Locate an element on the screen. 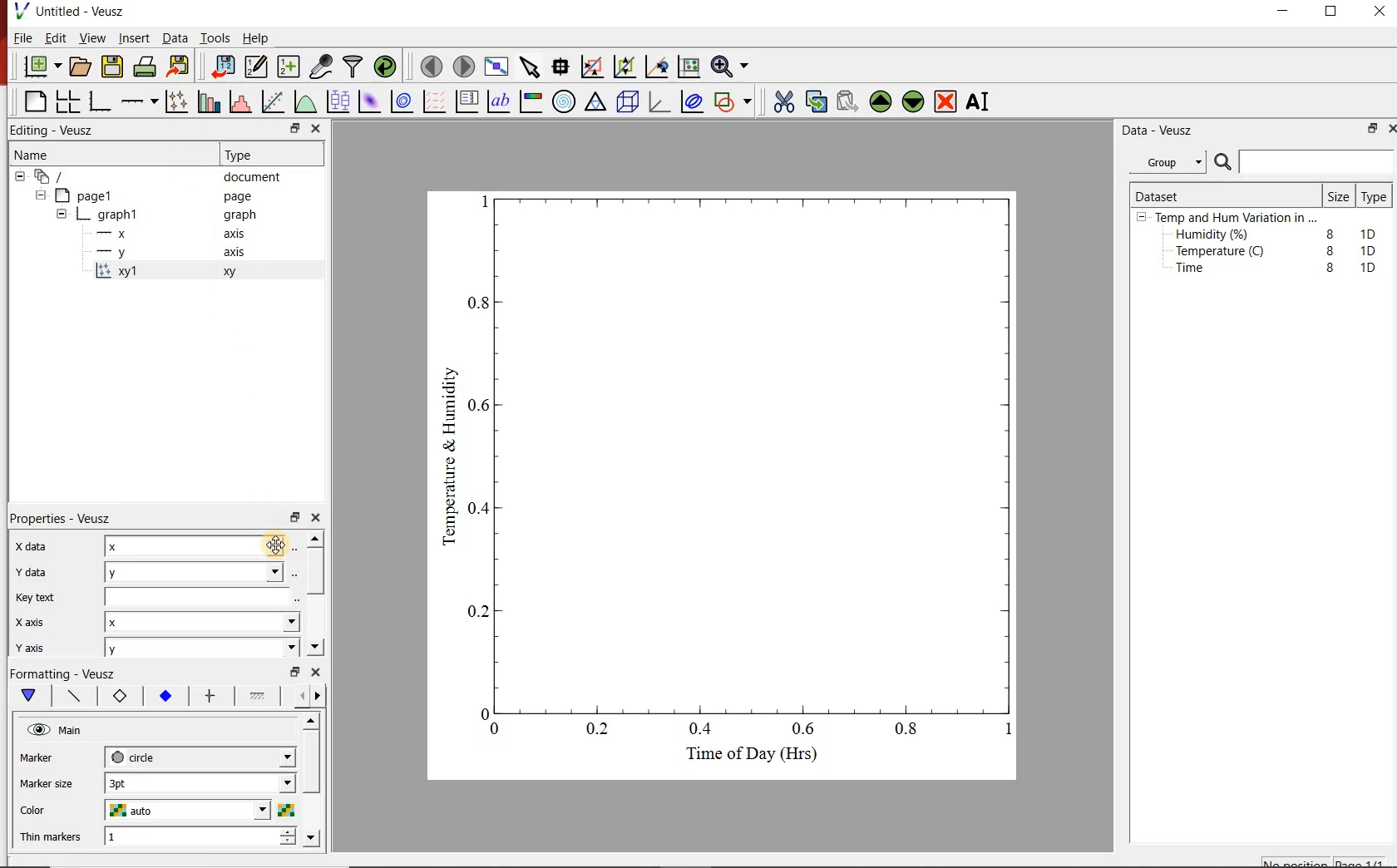 This screenshot has height=868, width=1397. graph is located at coordinates (239, 216).